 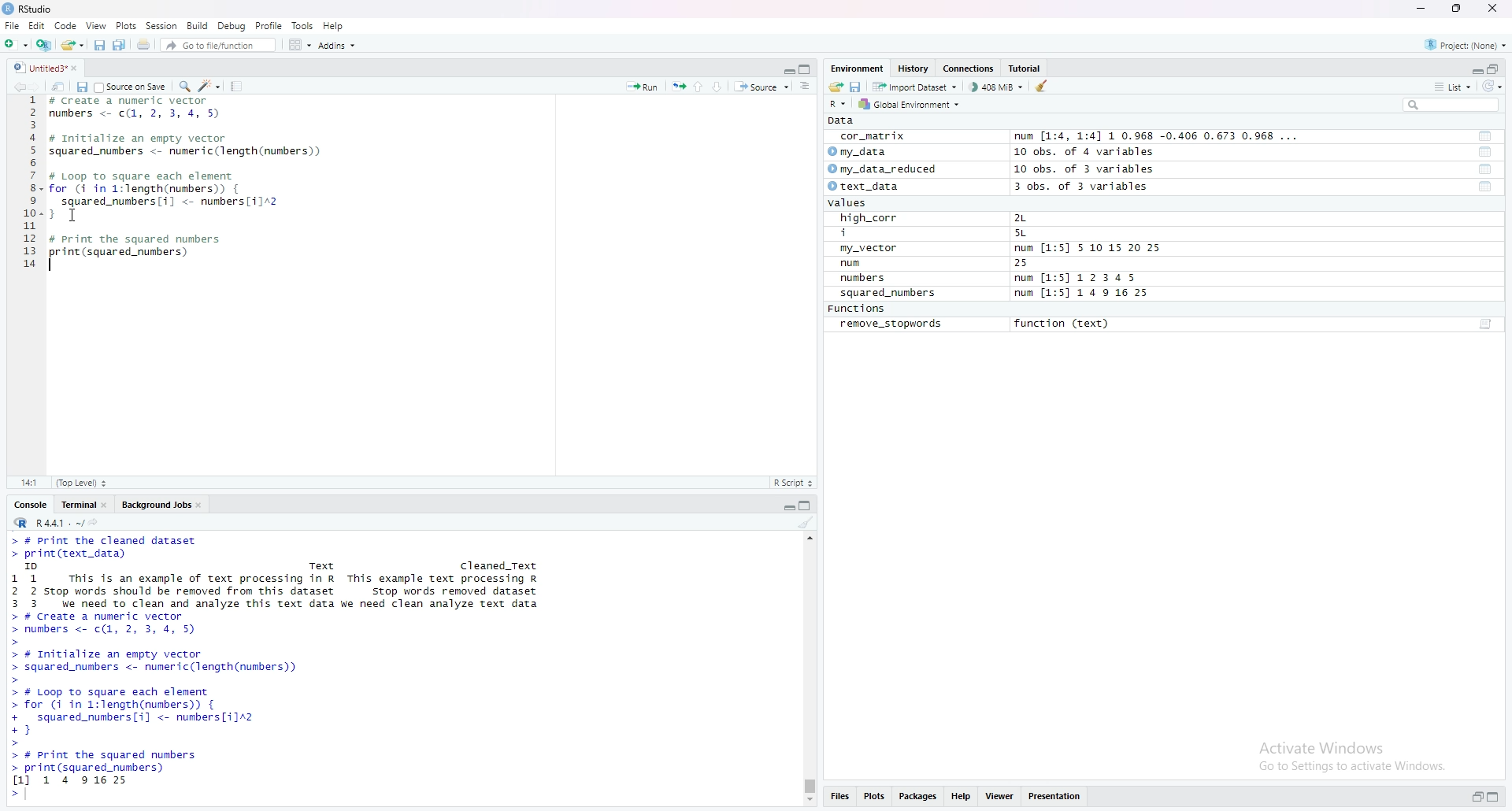 I want to click on Functions, so click(x=859, y=309).